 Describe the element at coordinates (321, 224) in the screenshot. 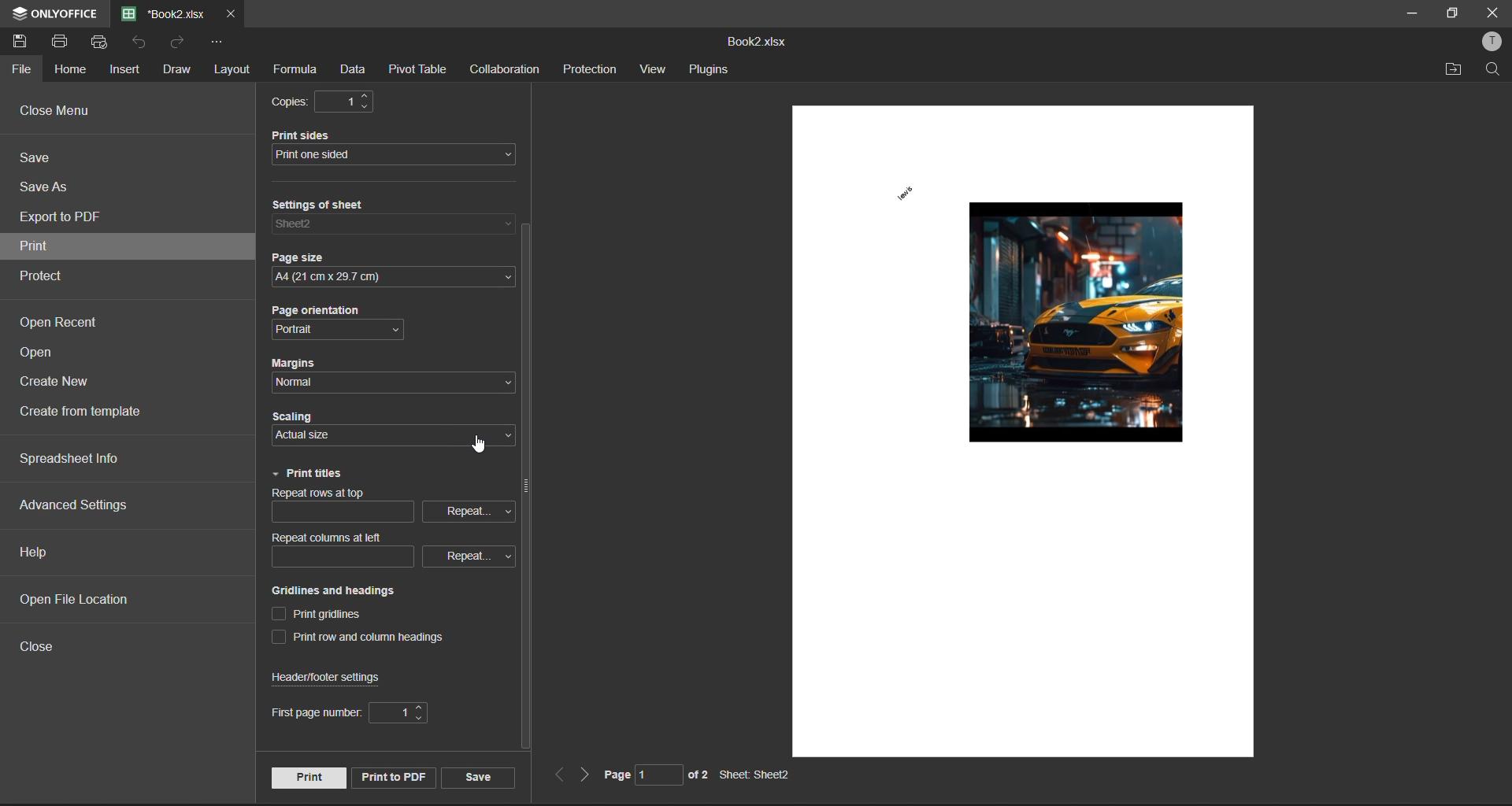

I see `sheet2` at that location.